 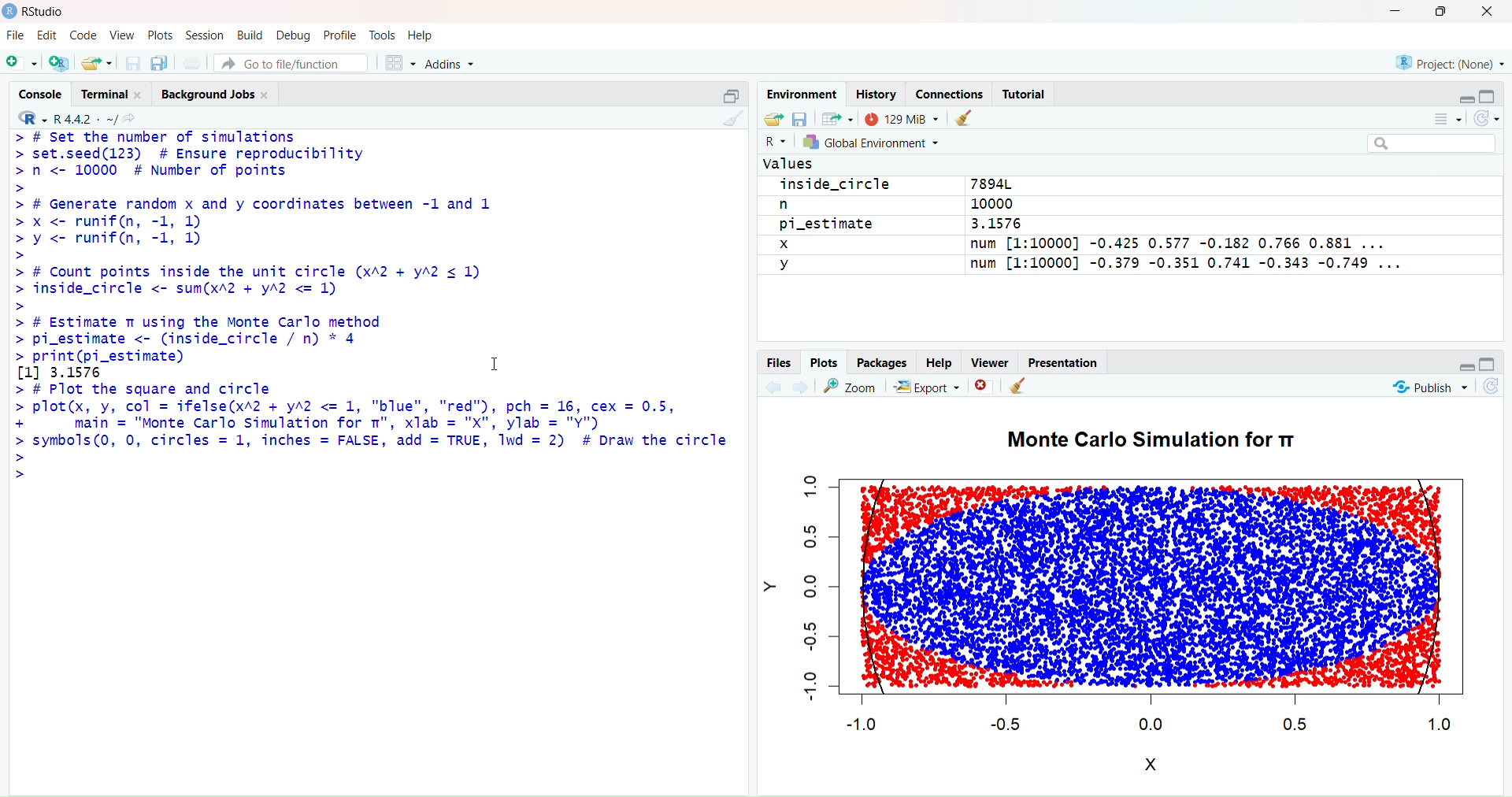 I want to click on Tools, so click(x=383, y=34).